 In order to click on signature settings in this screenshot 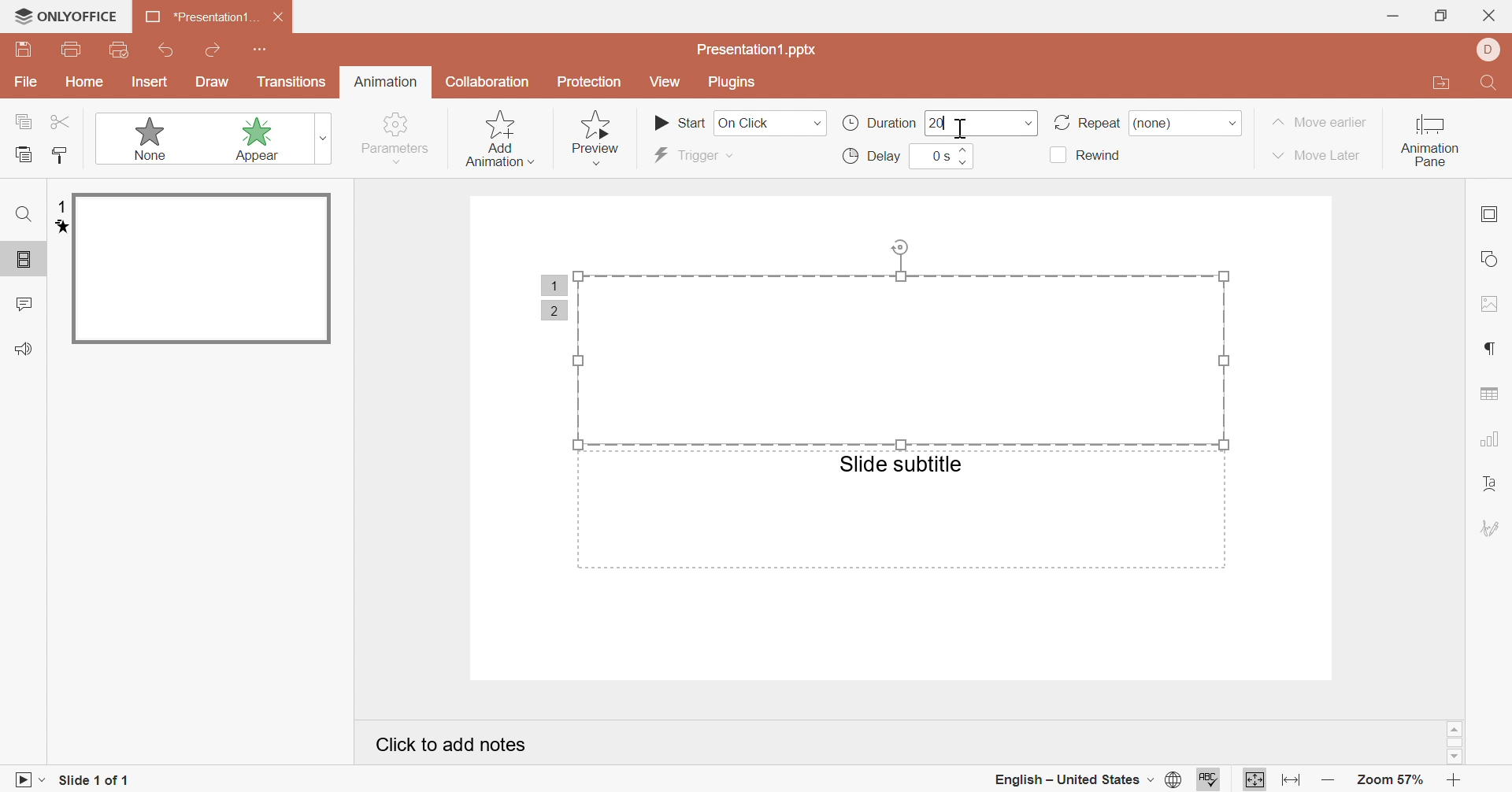, I will do `click(1491, 527)`.